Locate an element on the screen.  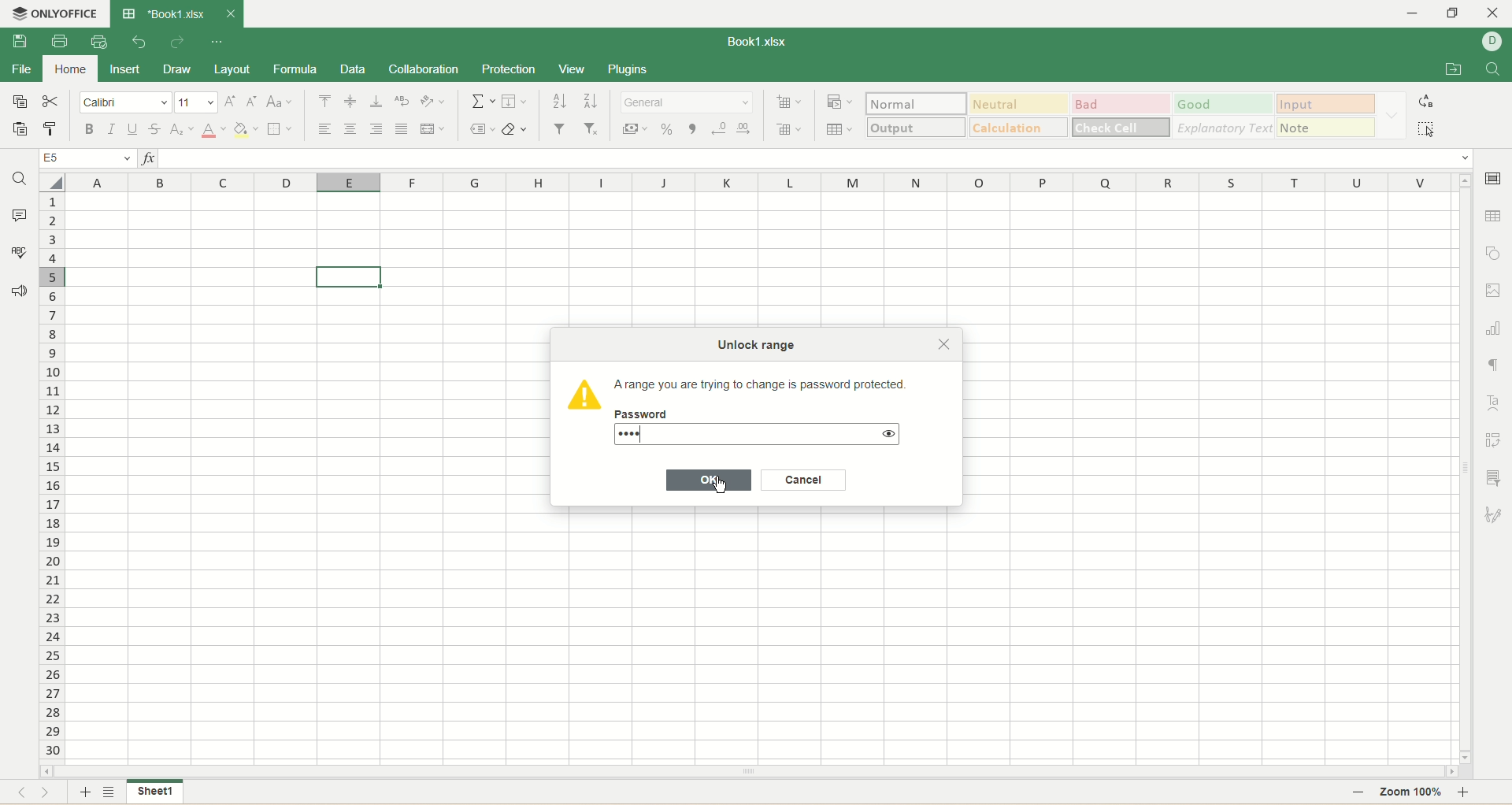
zoom out is located at coordinates (1359, 793).